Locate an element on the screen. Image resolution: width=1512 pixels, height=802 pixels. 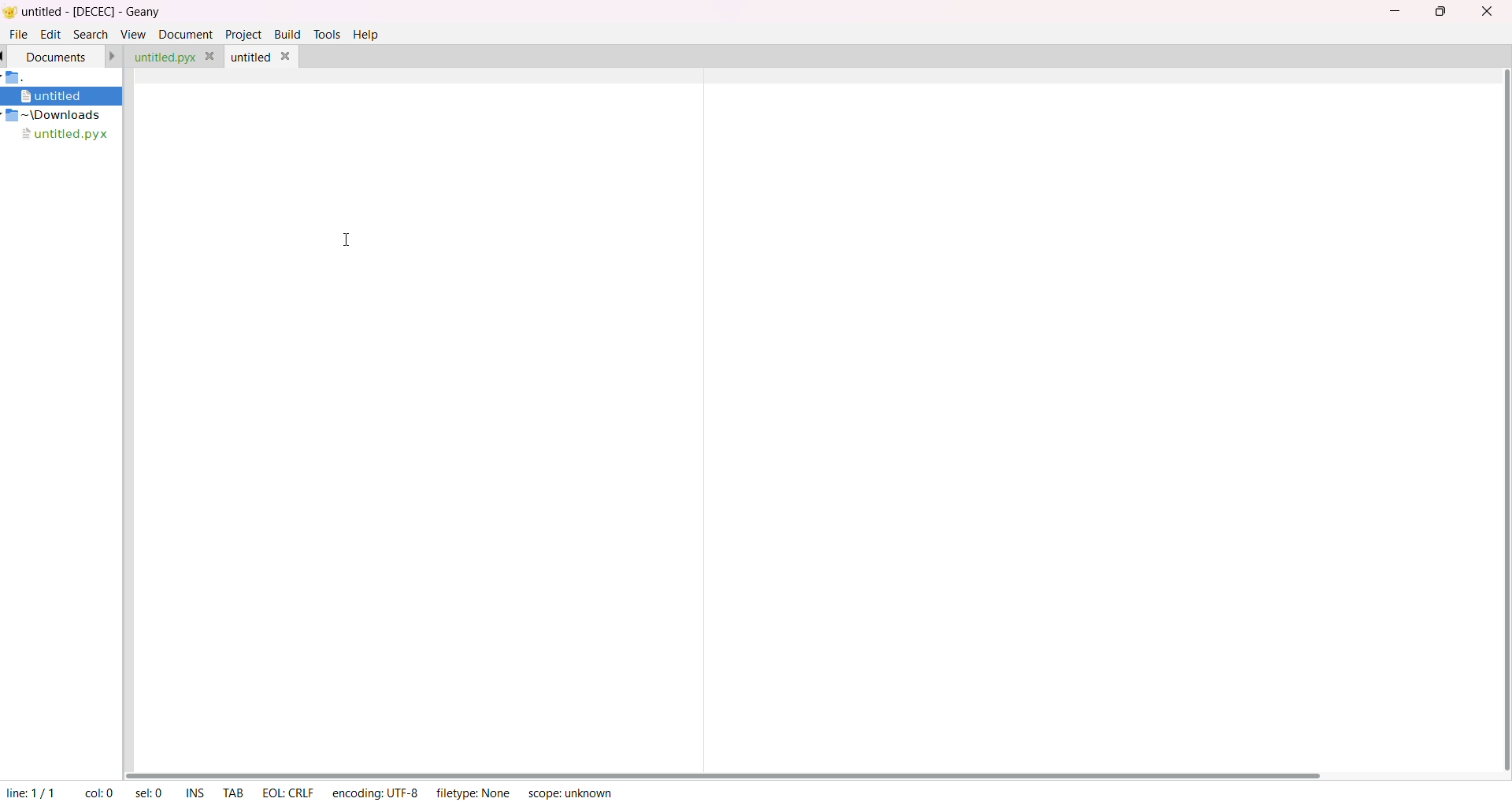
close is located at coordinates (288, 54).